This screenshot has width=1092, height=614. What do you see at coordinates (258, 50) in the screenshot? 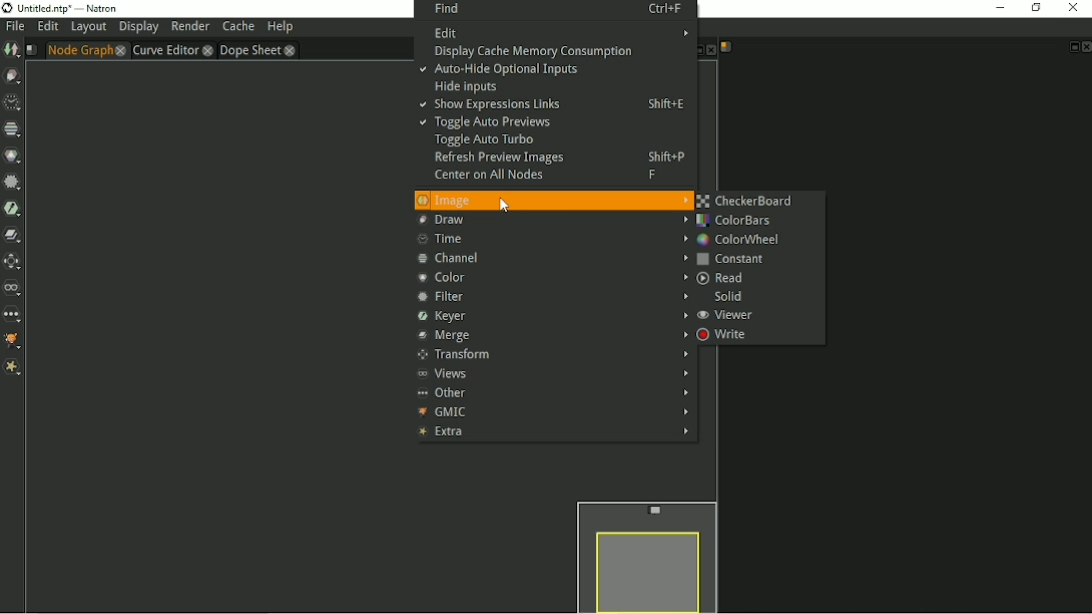
I see `Dope sheet` at bounding box center [258, 50].